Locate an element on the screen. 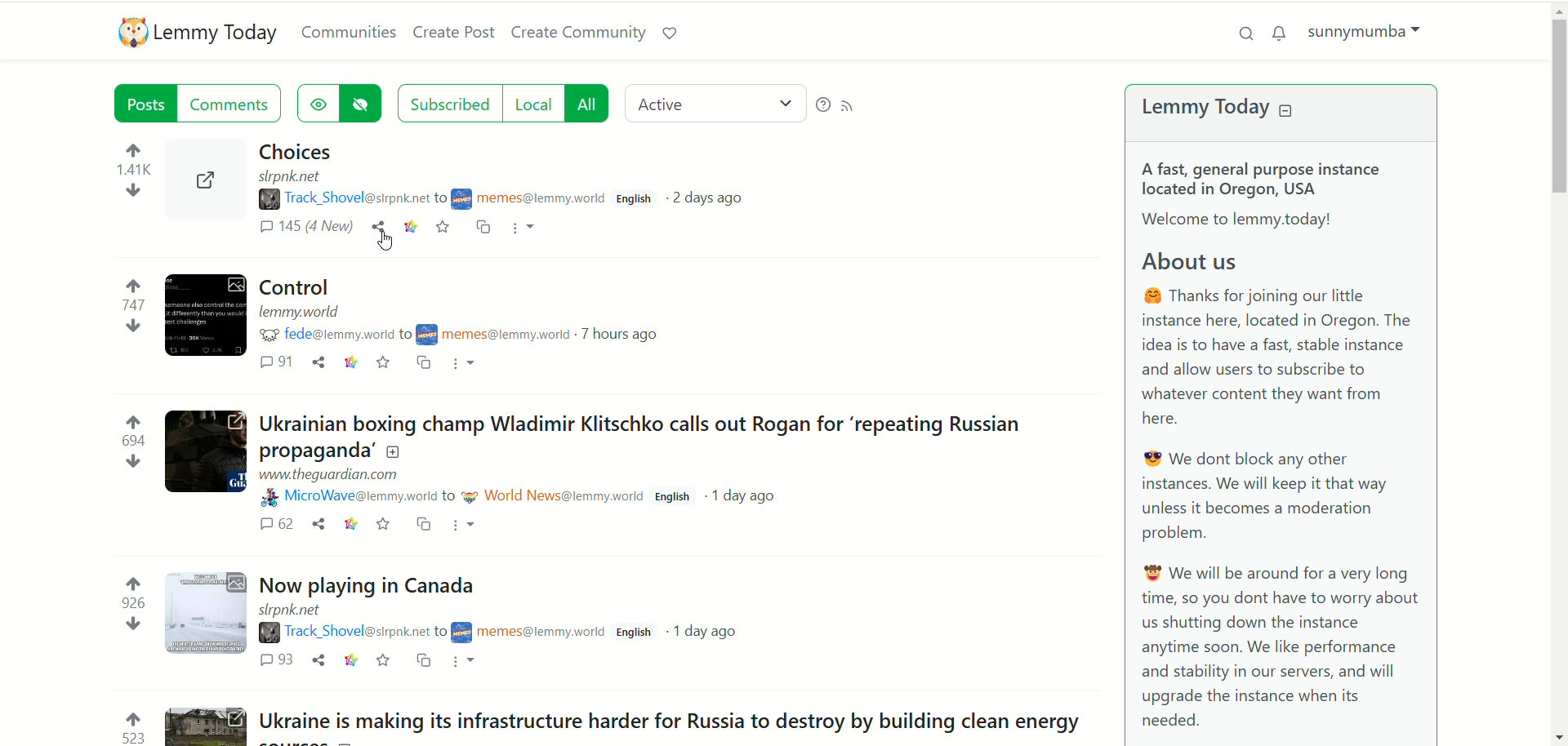  cross post is located at coordinates (421, 661).